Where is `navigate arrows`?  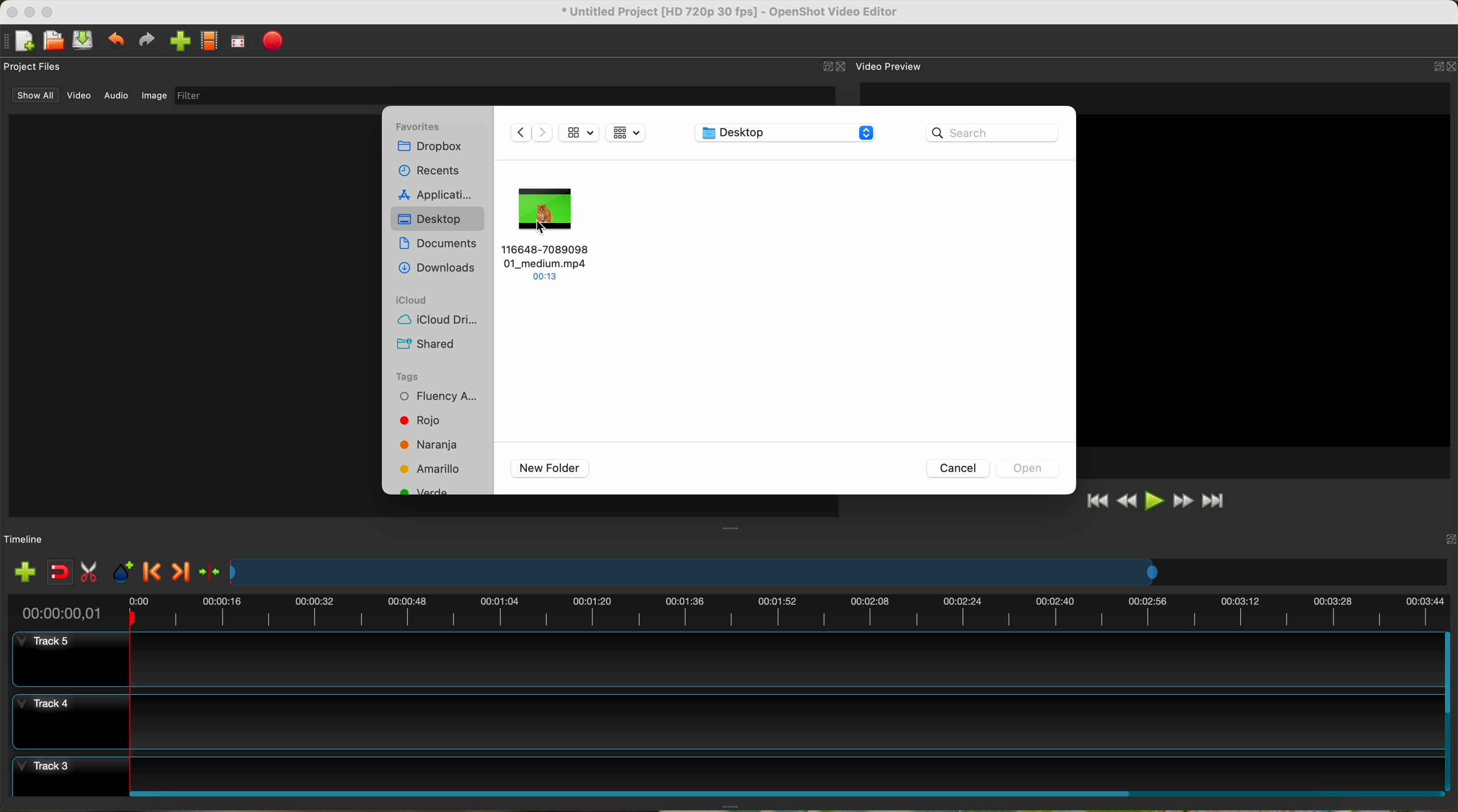
navigate arrows is located at coordinates (529, 132).